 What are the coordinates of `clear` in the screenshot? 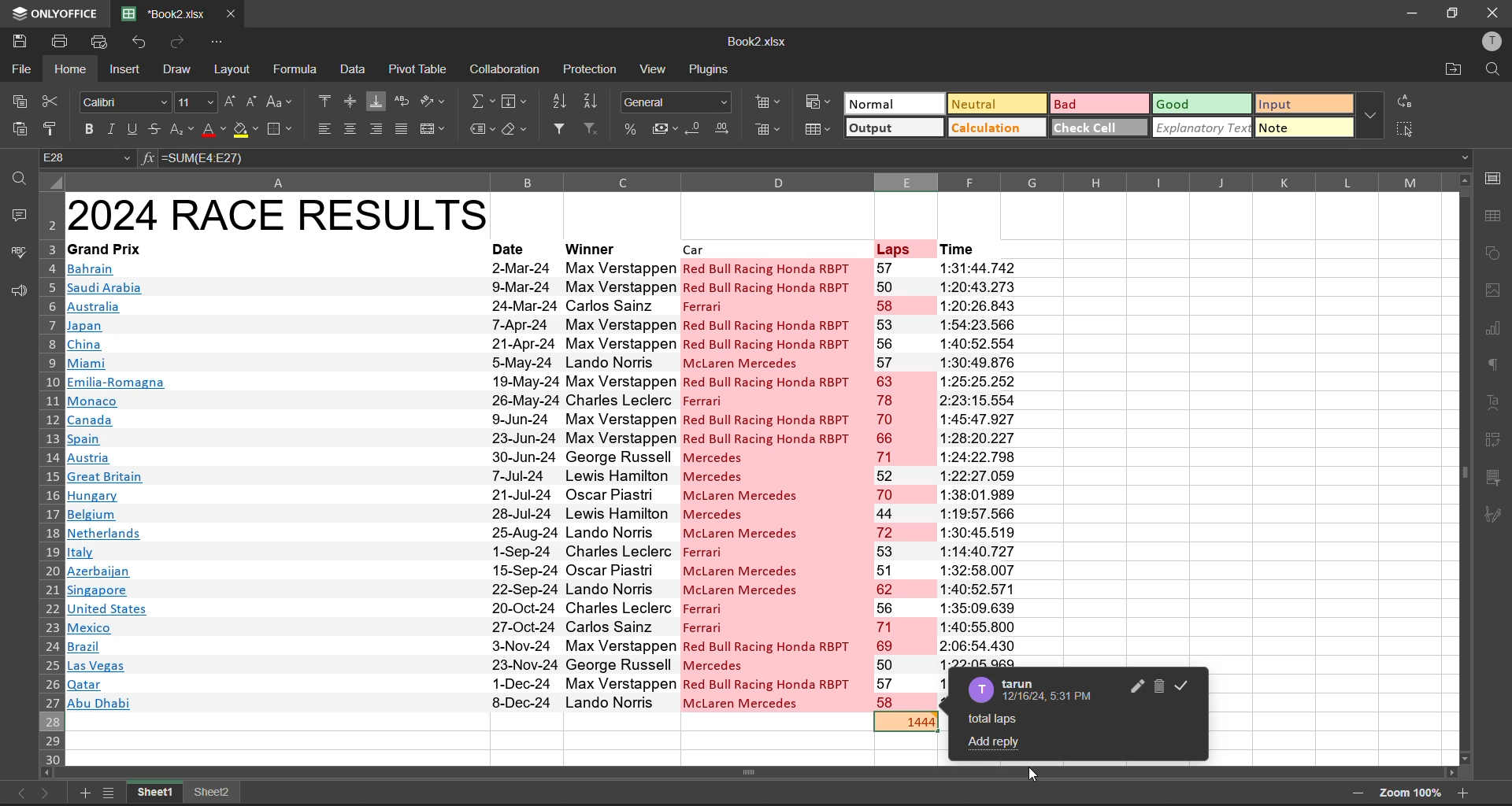 It's located at (513, 128).